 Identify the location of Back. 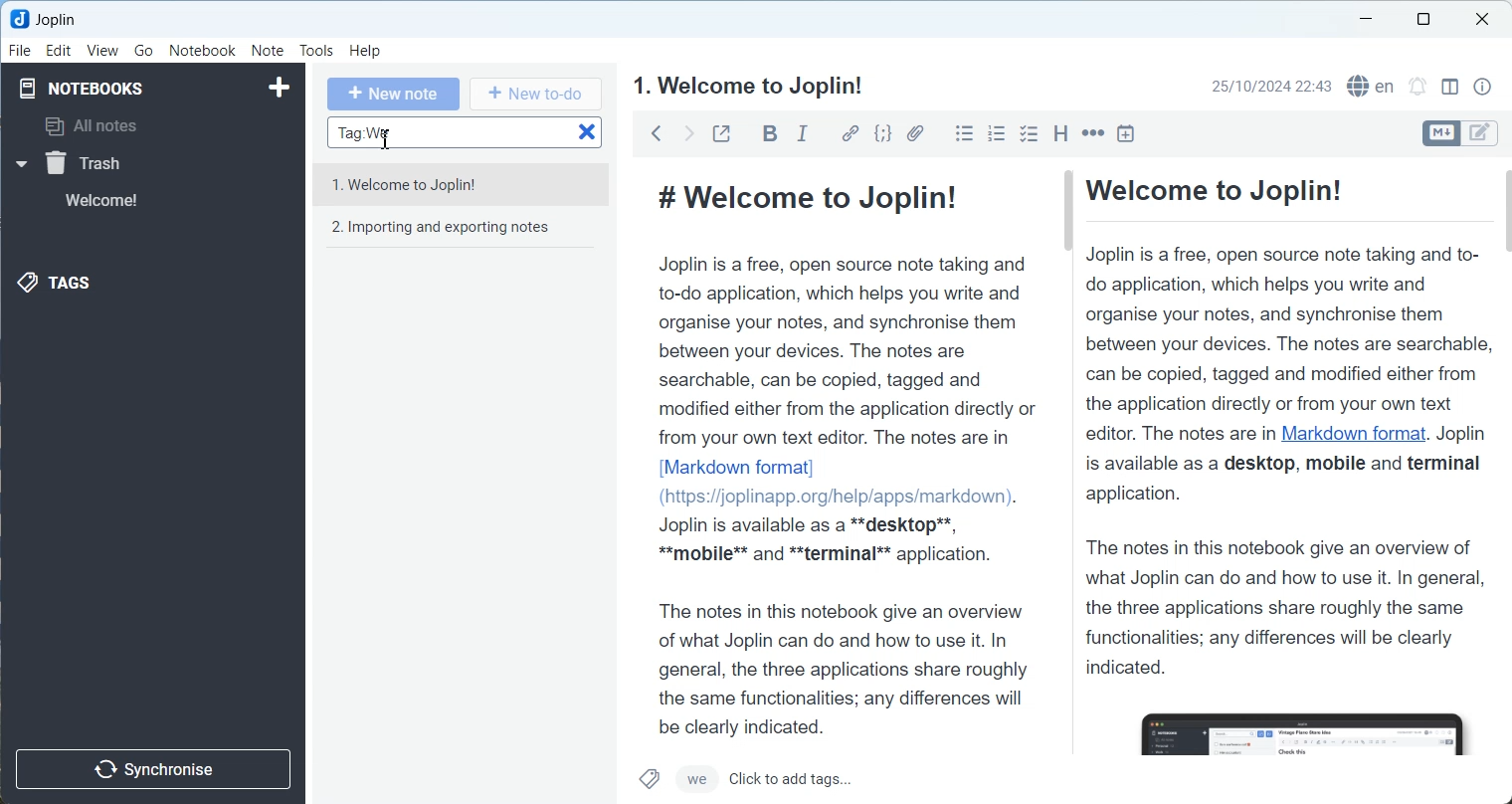
(657, 132).